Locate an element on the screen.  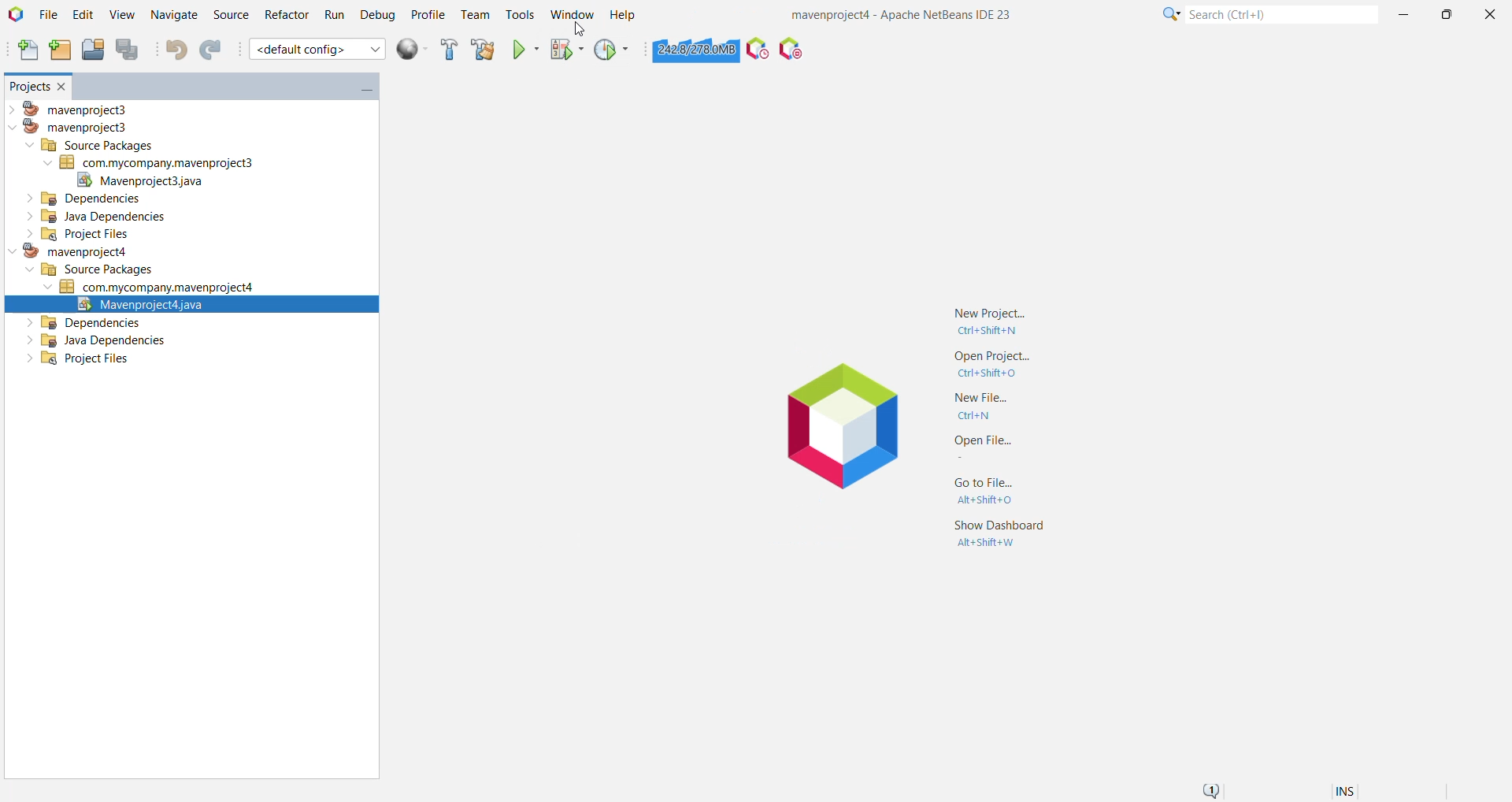
New File is located at coordinates (24, 51).